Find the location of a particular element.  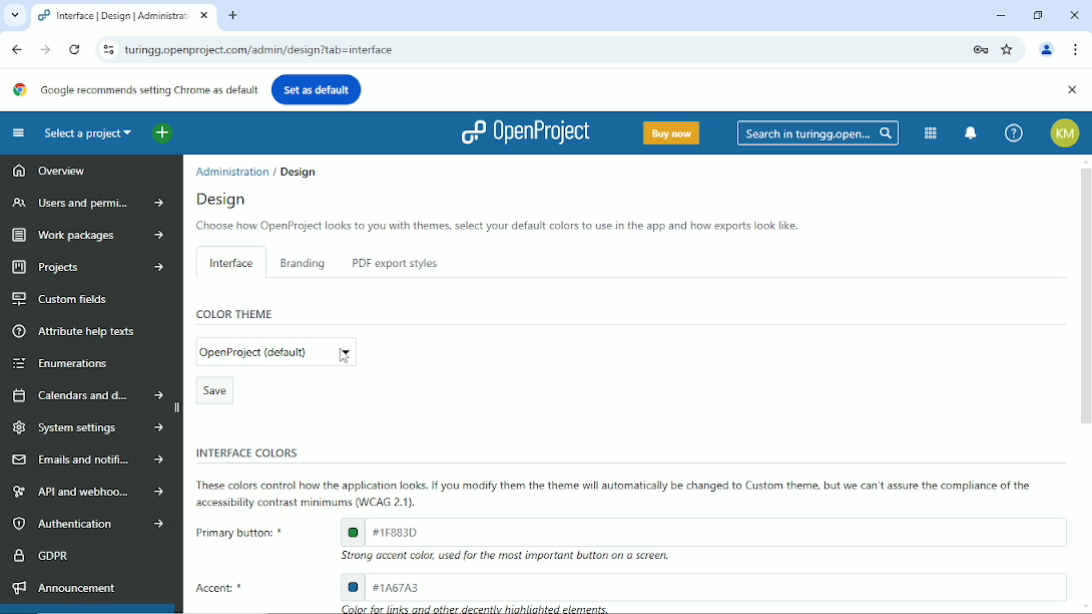

Open quick add menu is located at coordinates (162, 134).